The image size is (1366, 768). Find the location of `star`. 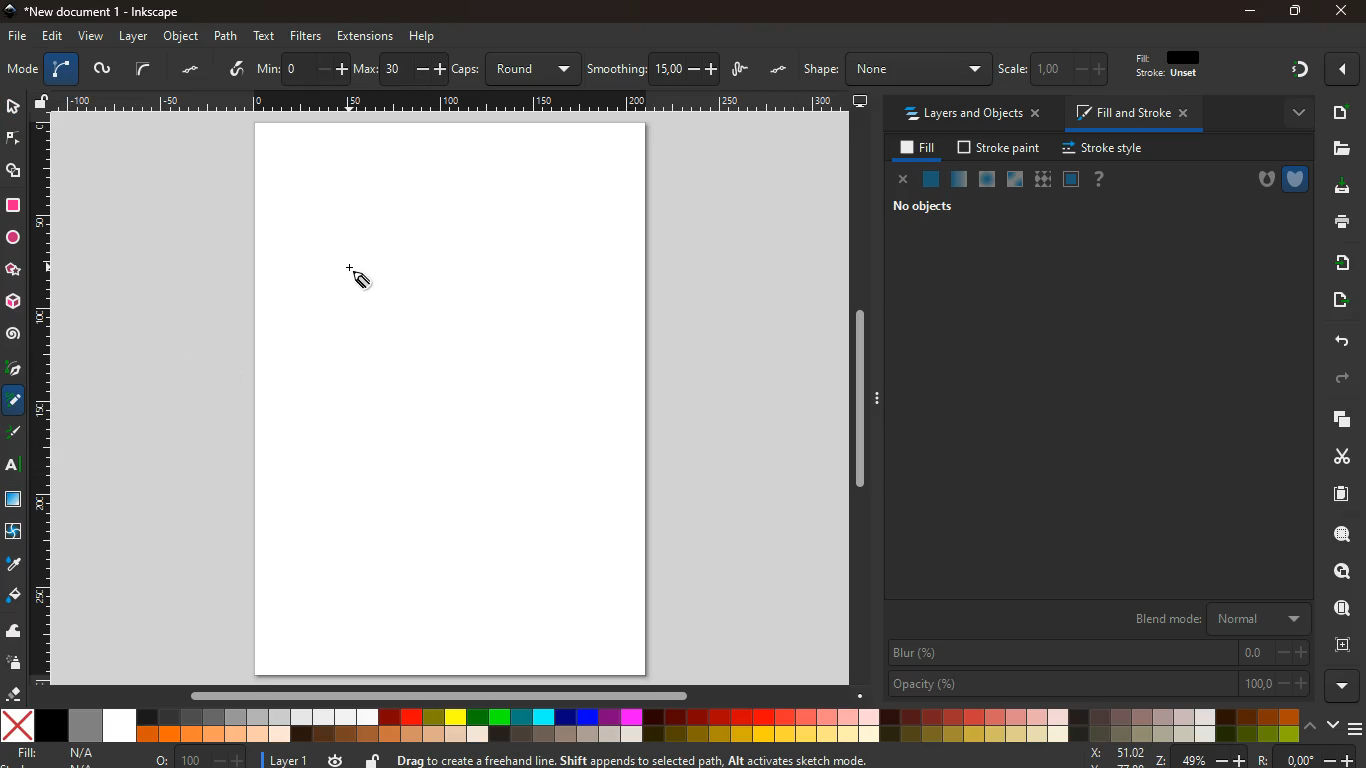

star is located at coordinates (15, 270).